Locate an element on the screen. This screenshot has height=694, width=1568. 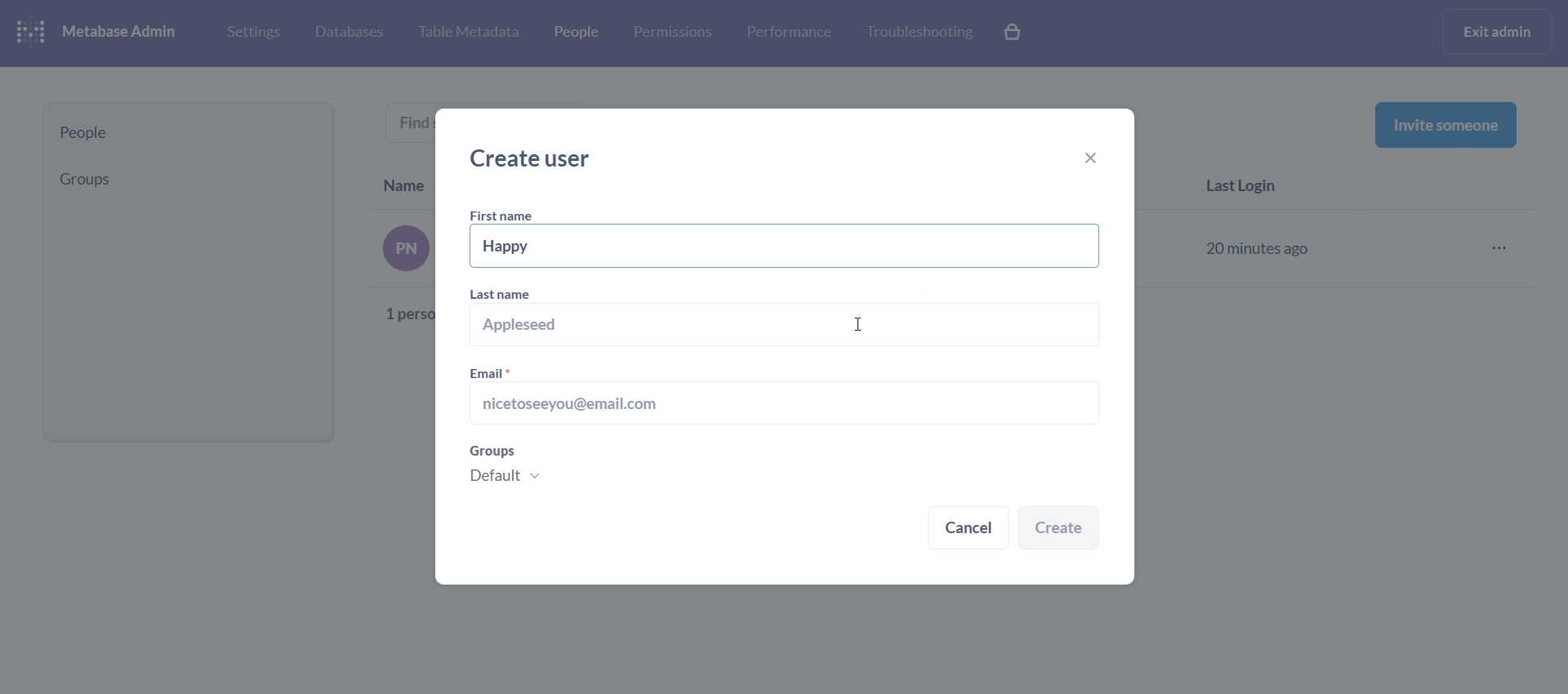
text is located at coordinates (395, 270).